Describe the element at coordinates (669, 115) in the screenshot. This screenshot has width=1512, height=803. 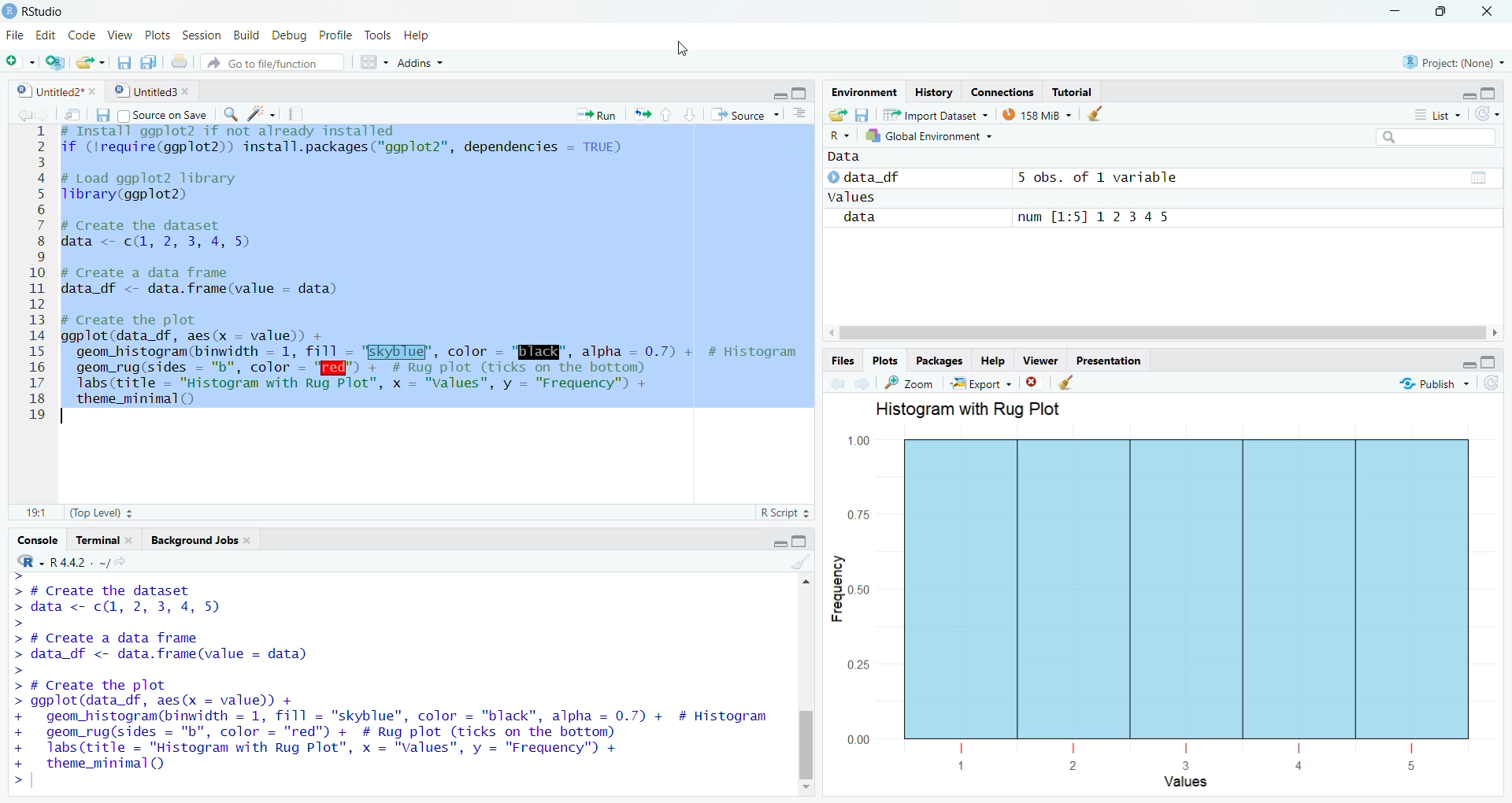
I see `up` at that location.